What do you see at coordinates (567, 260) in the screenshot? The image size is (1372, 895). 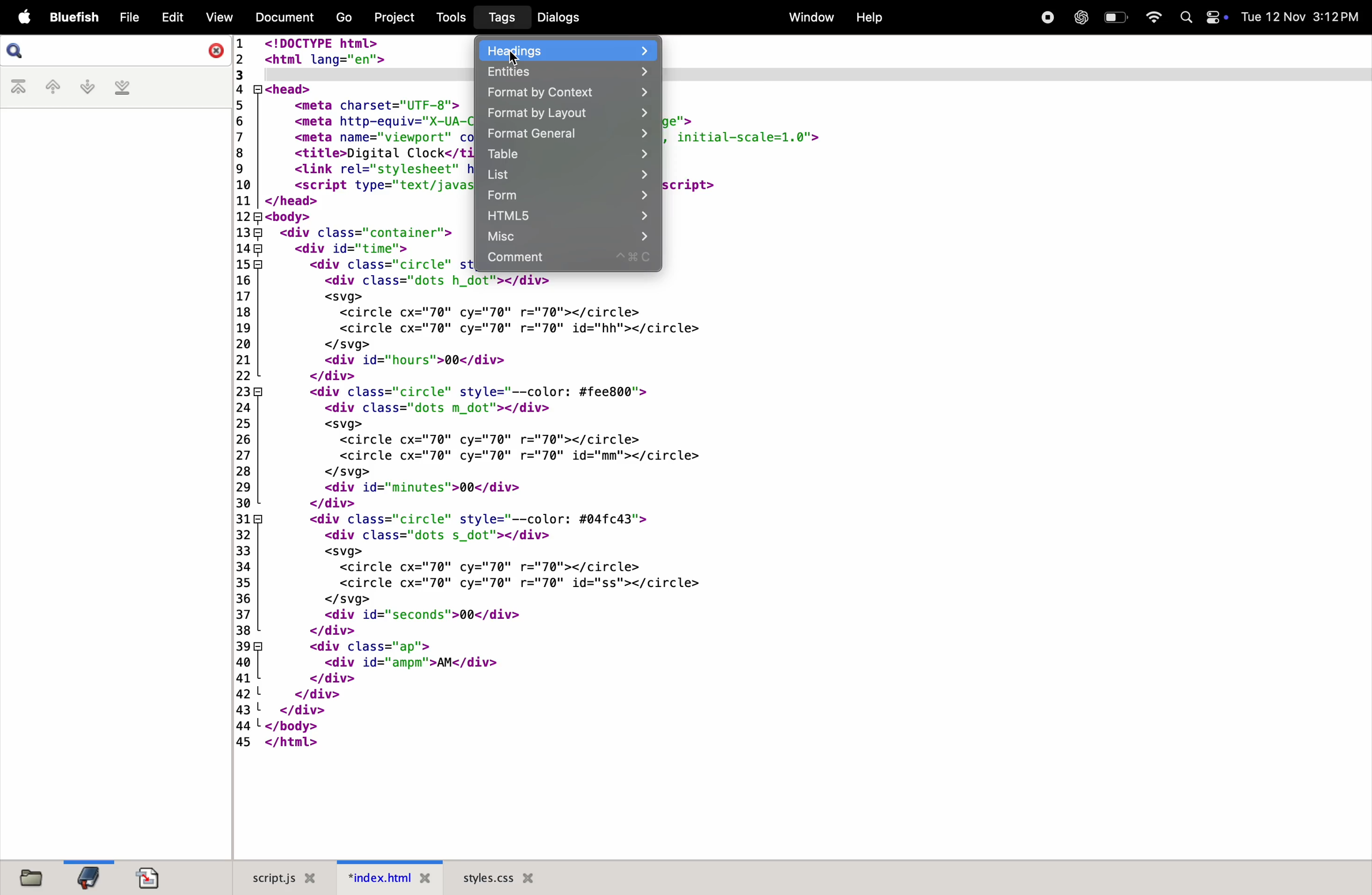 I see `comment` at bounding box center [567, 260].